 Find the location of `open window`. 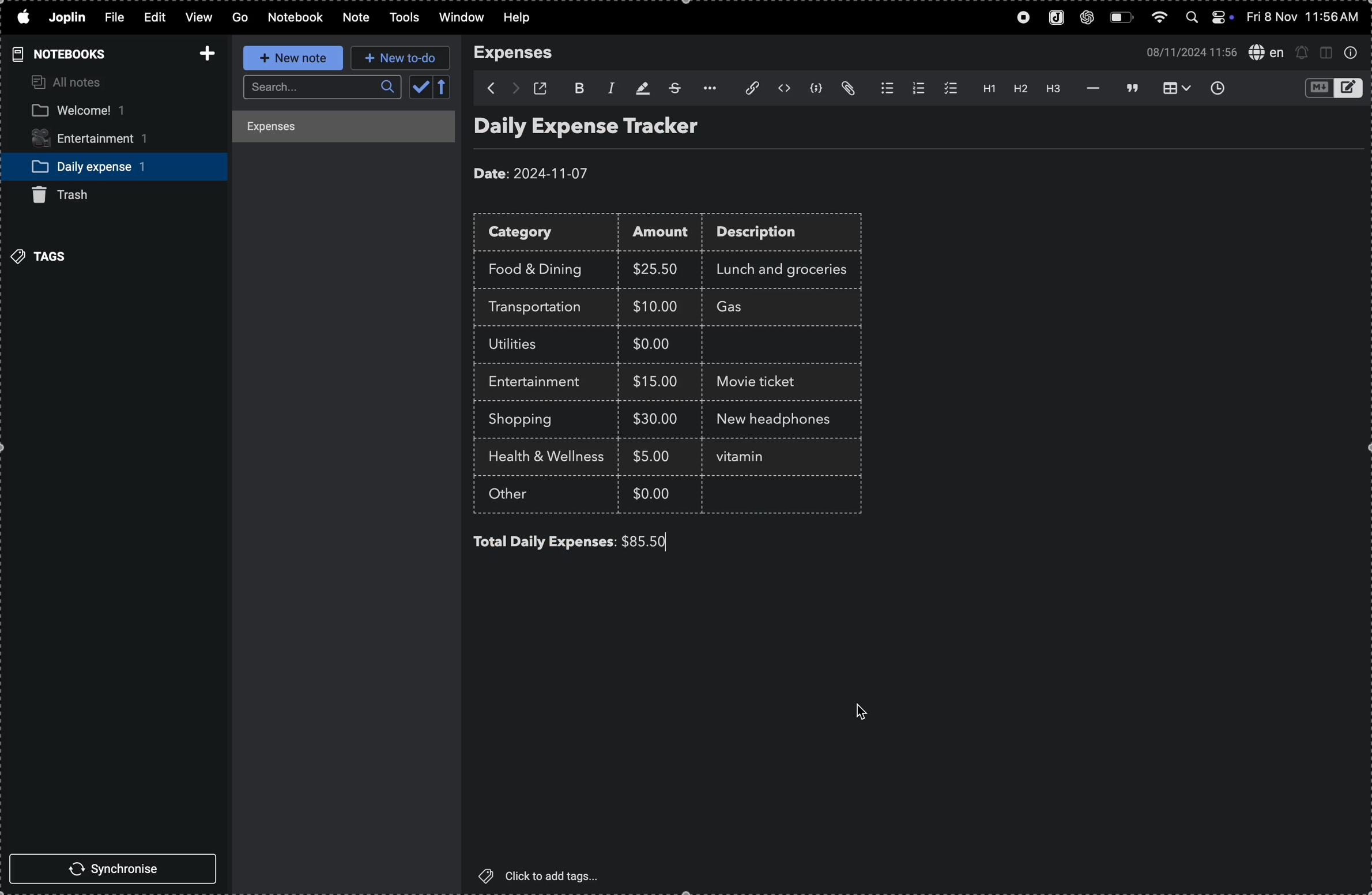

open window is located at coordinates (544, 88).